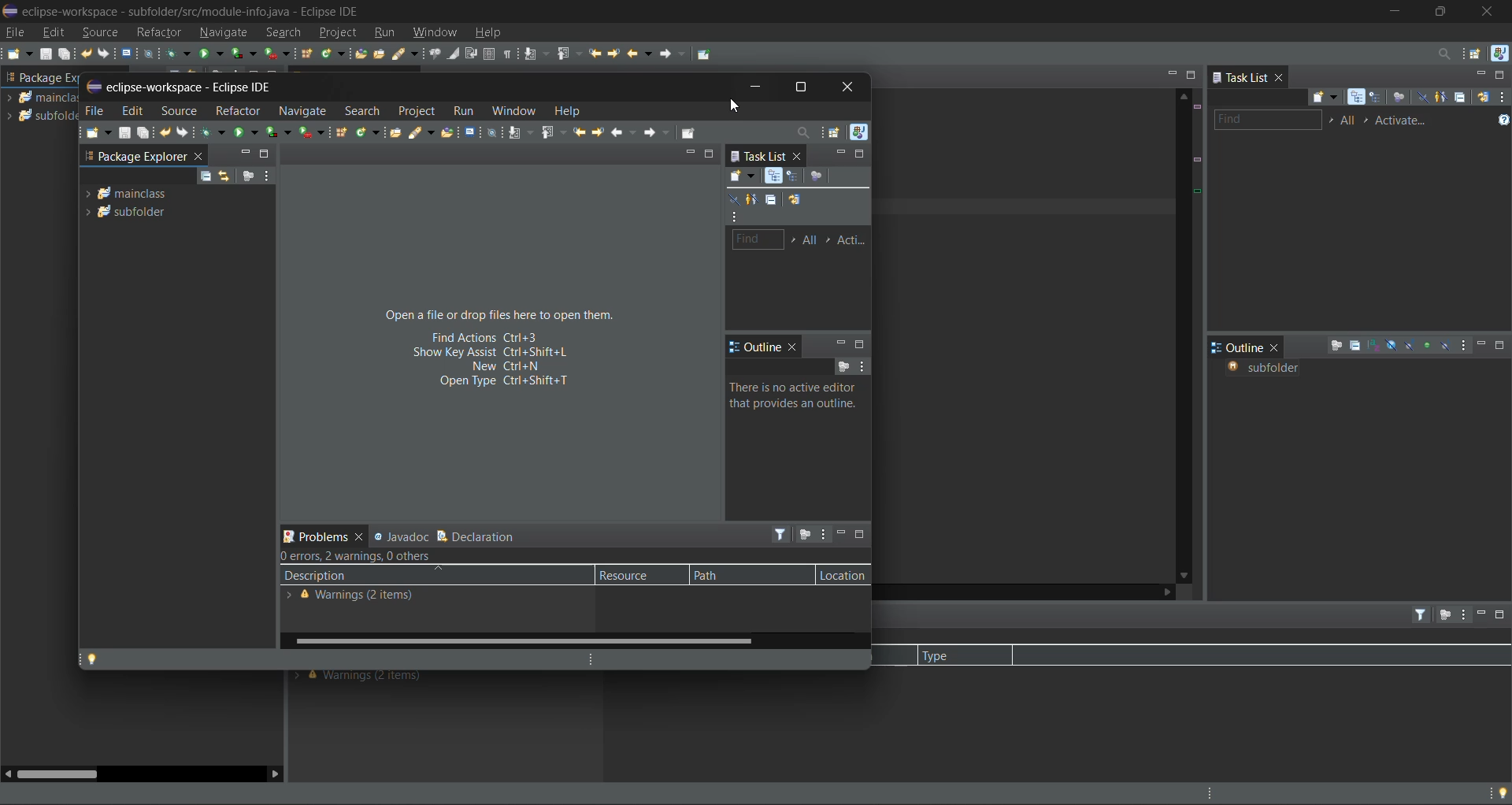 This screenshot has width=1512, height=805. What do you see at coordinates (640, 52) in the screenshot?
I see `back` at bounding box center [640, 52].